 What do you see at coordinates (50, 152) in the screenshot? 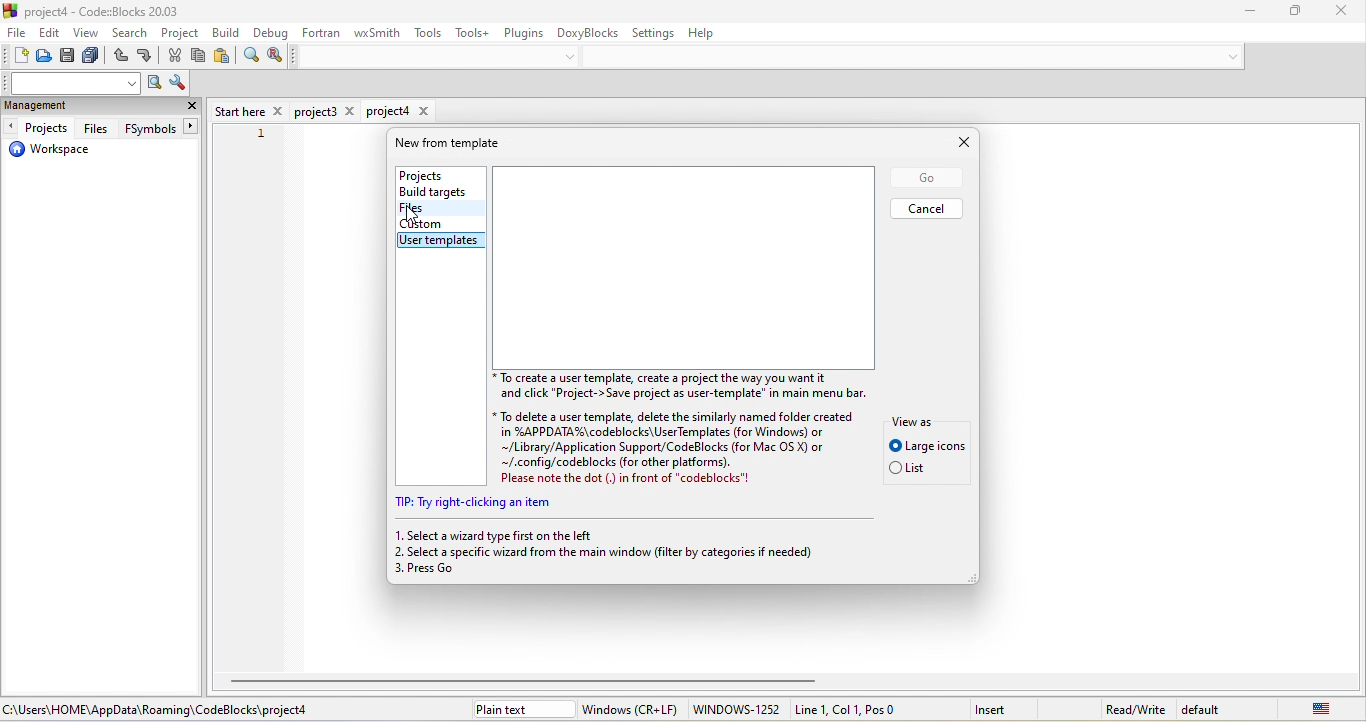
I see `workspace` at bounding box center [50, 152].